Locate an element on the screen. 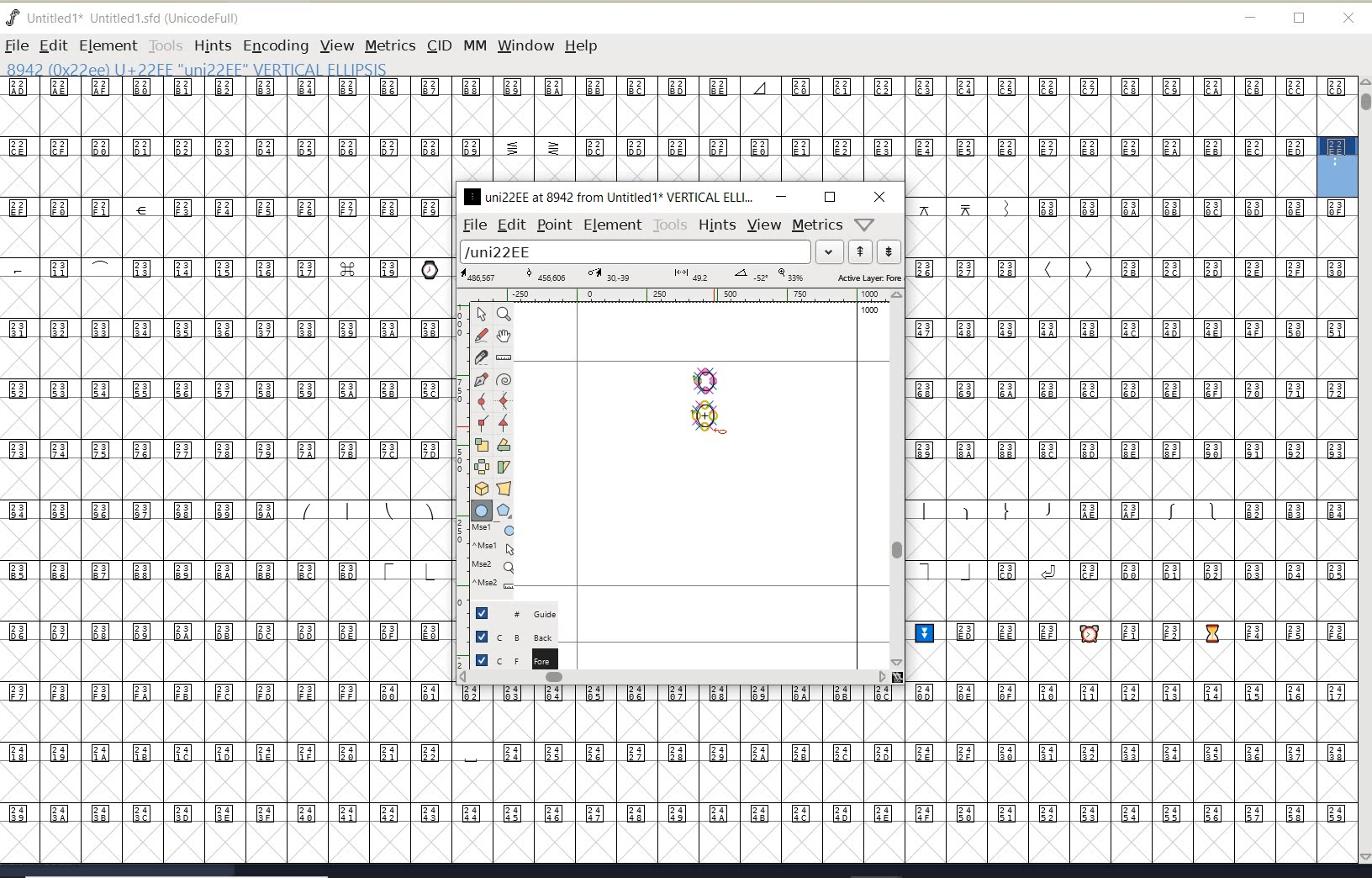 This screenshot has height=878, width=1372. active layer is located at coordinates (682, 278).